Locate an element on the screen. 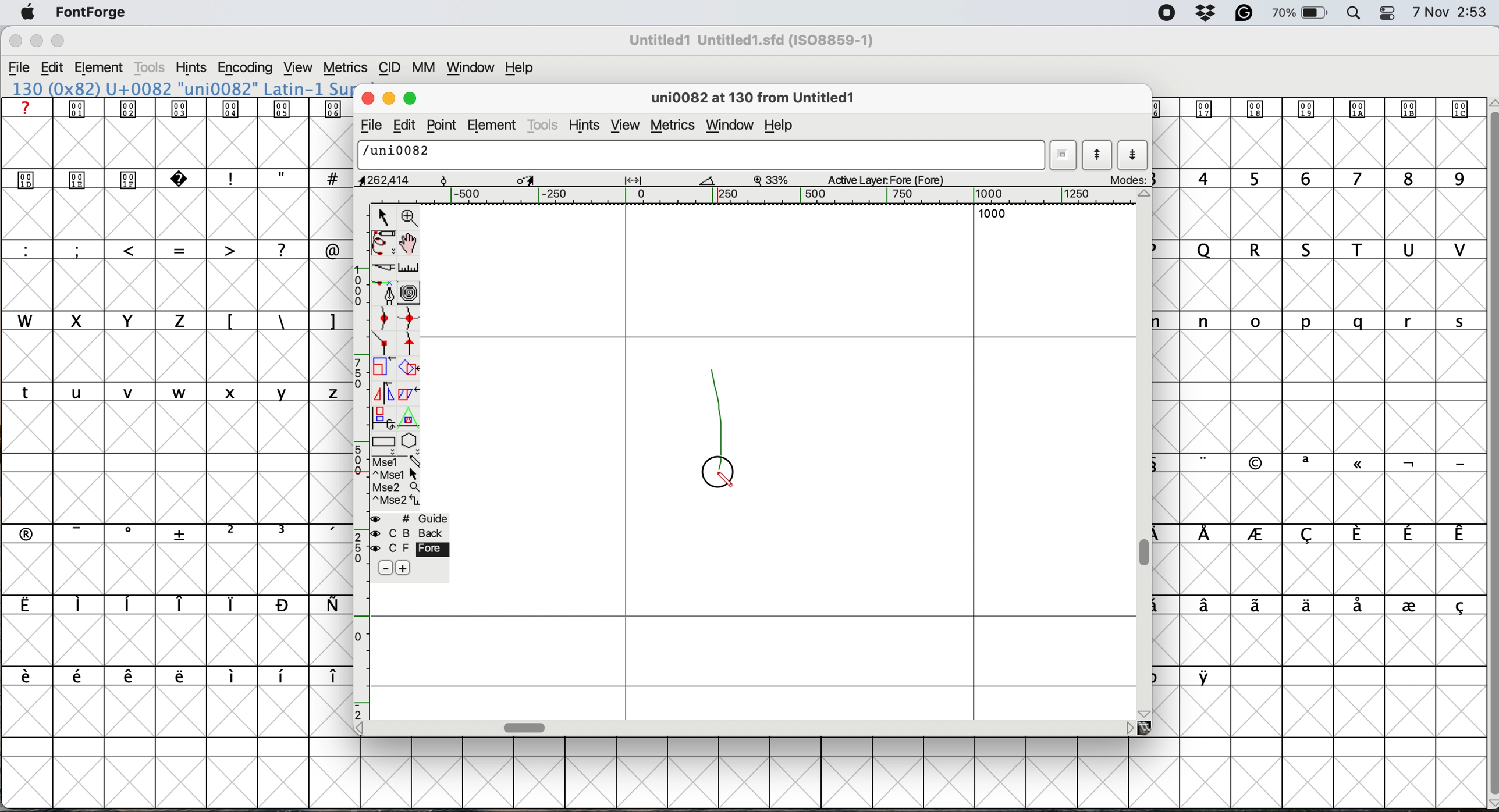  show next letter is located at coordinates (1132, 156).